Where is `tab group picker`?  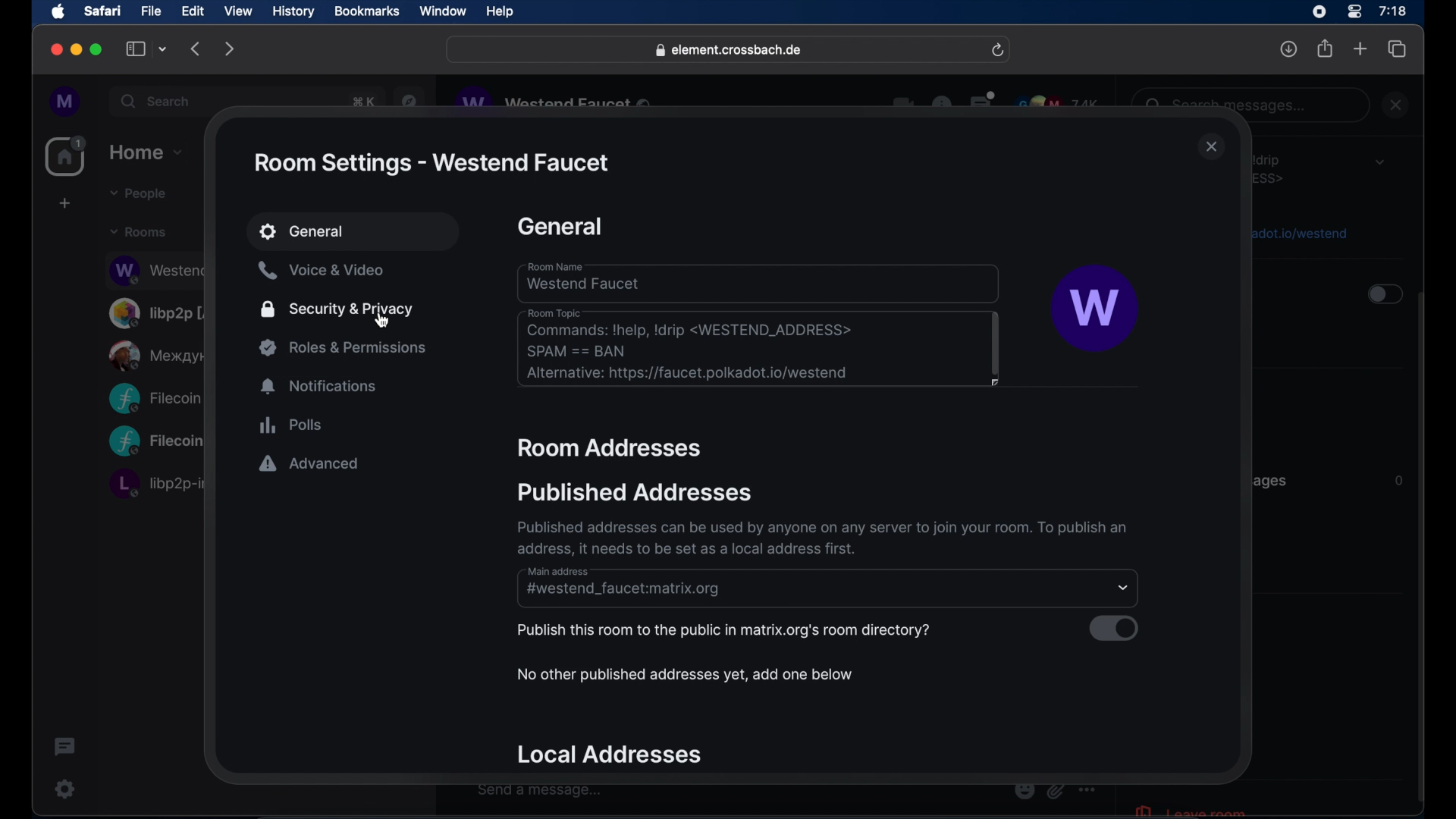
tab group picker is located at coordinates (163, 49).